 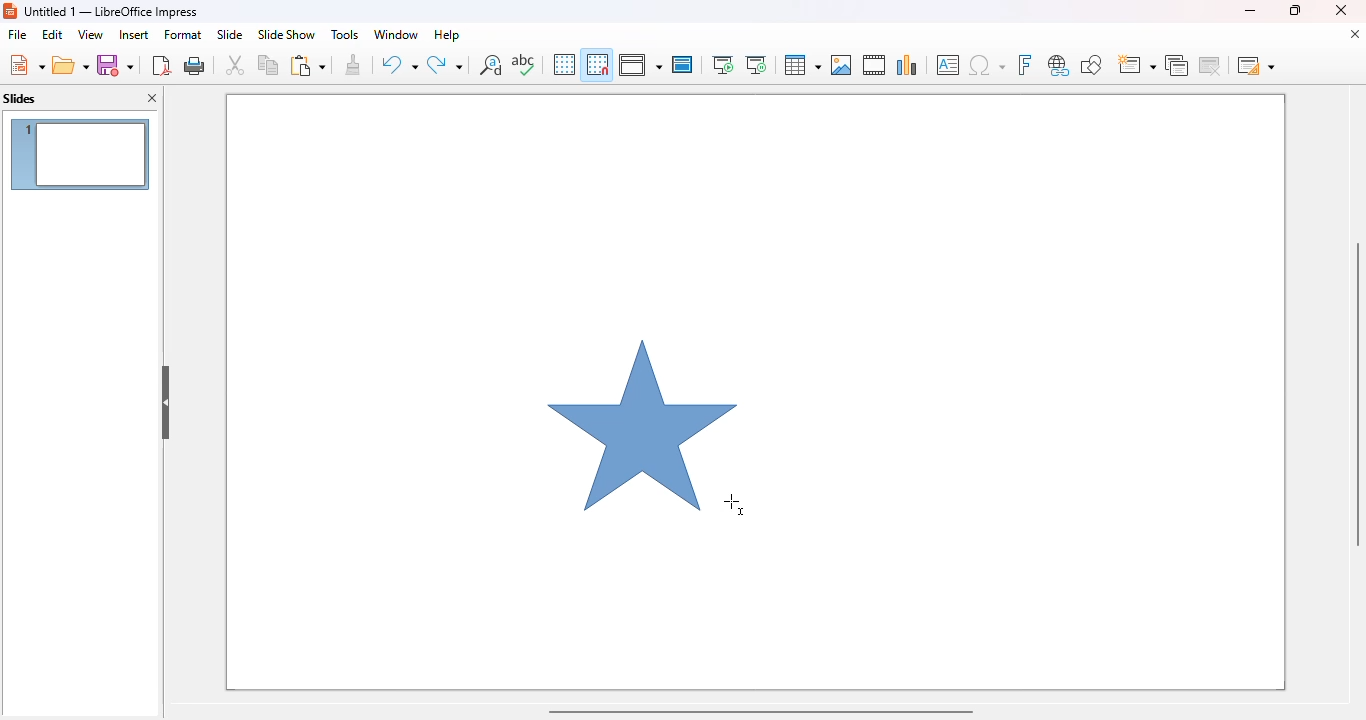 I want to click on clone formatting, so click(x=354, y=65).